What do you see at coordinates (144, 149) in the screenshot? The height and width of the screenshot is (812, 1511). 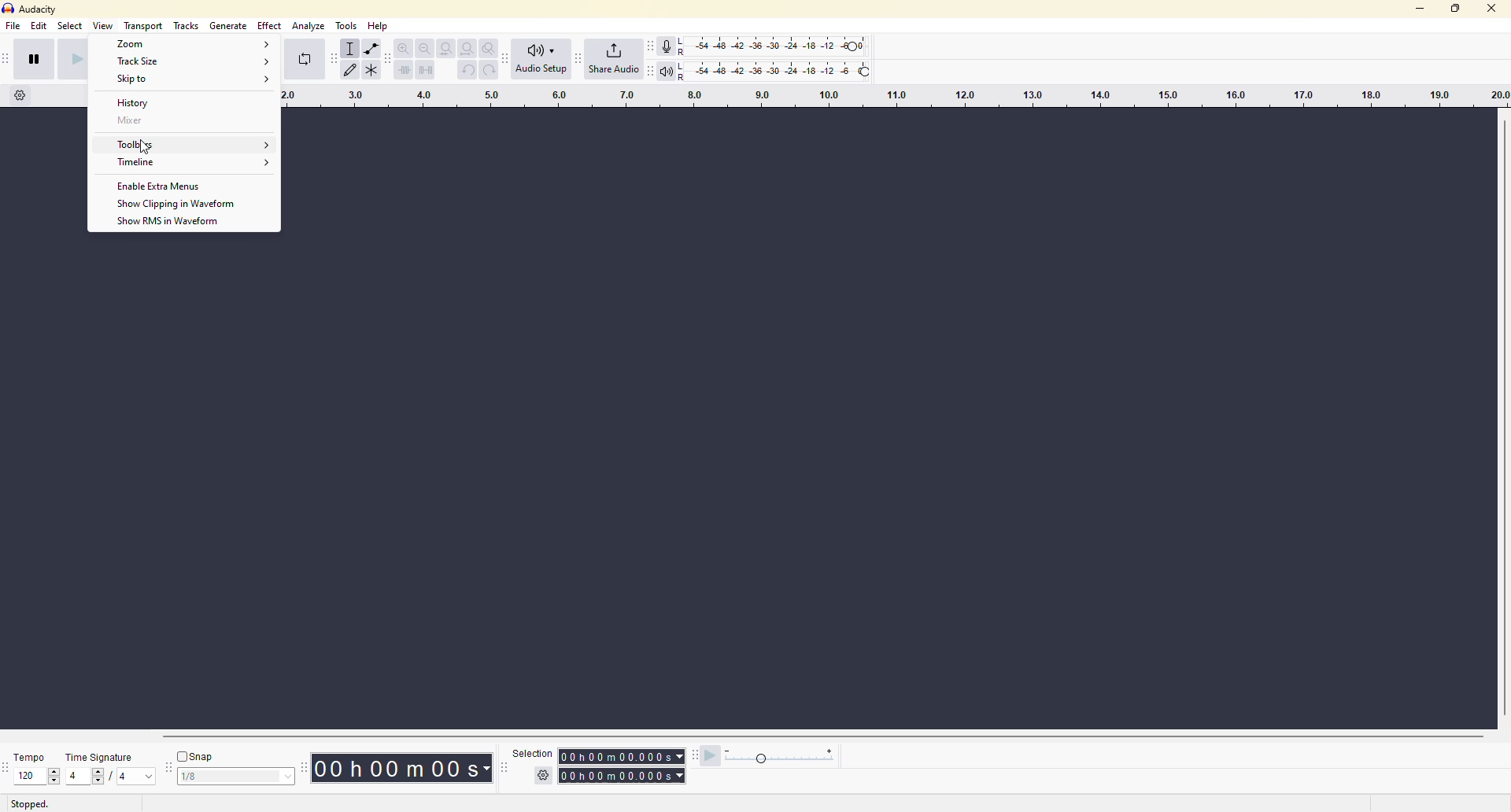 I see `cursor` at bounding box center [144, 149].